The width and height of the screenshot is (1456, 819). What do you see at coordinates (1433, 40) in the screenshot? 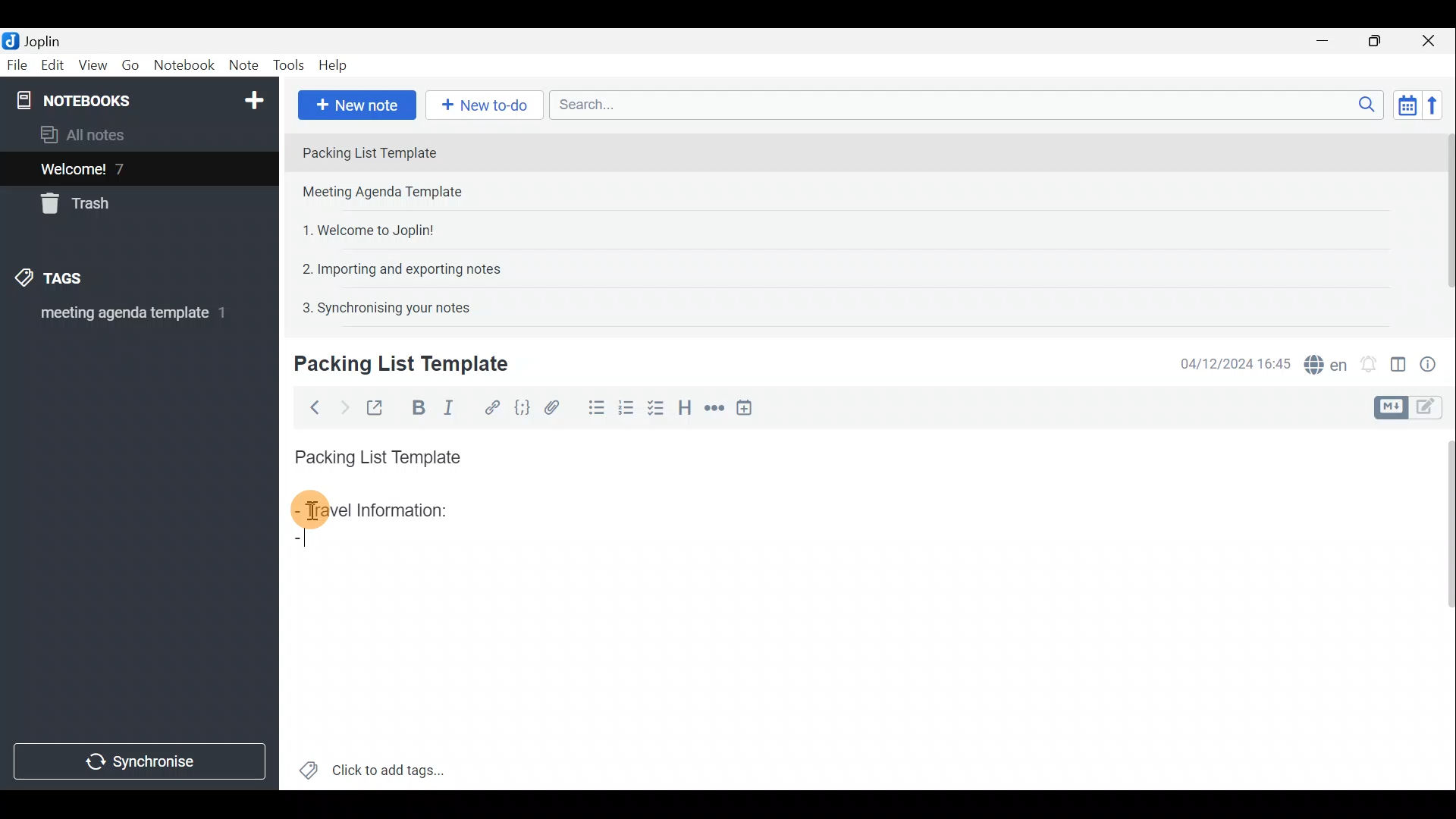
I see `Close` at bounding box center [1433, 40].